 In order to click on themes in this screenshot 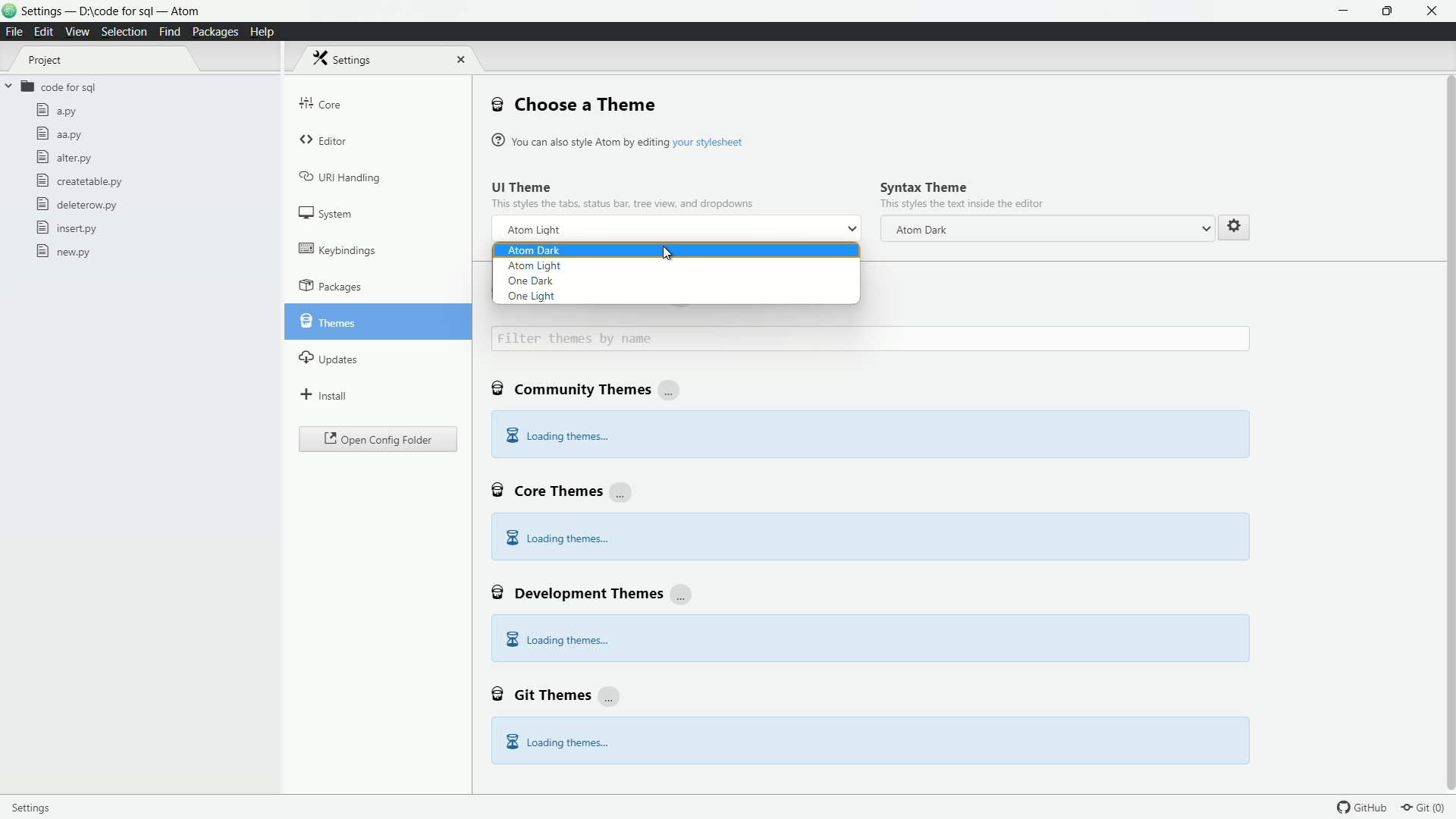, I will do `click(327, 319)`.